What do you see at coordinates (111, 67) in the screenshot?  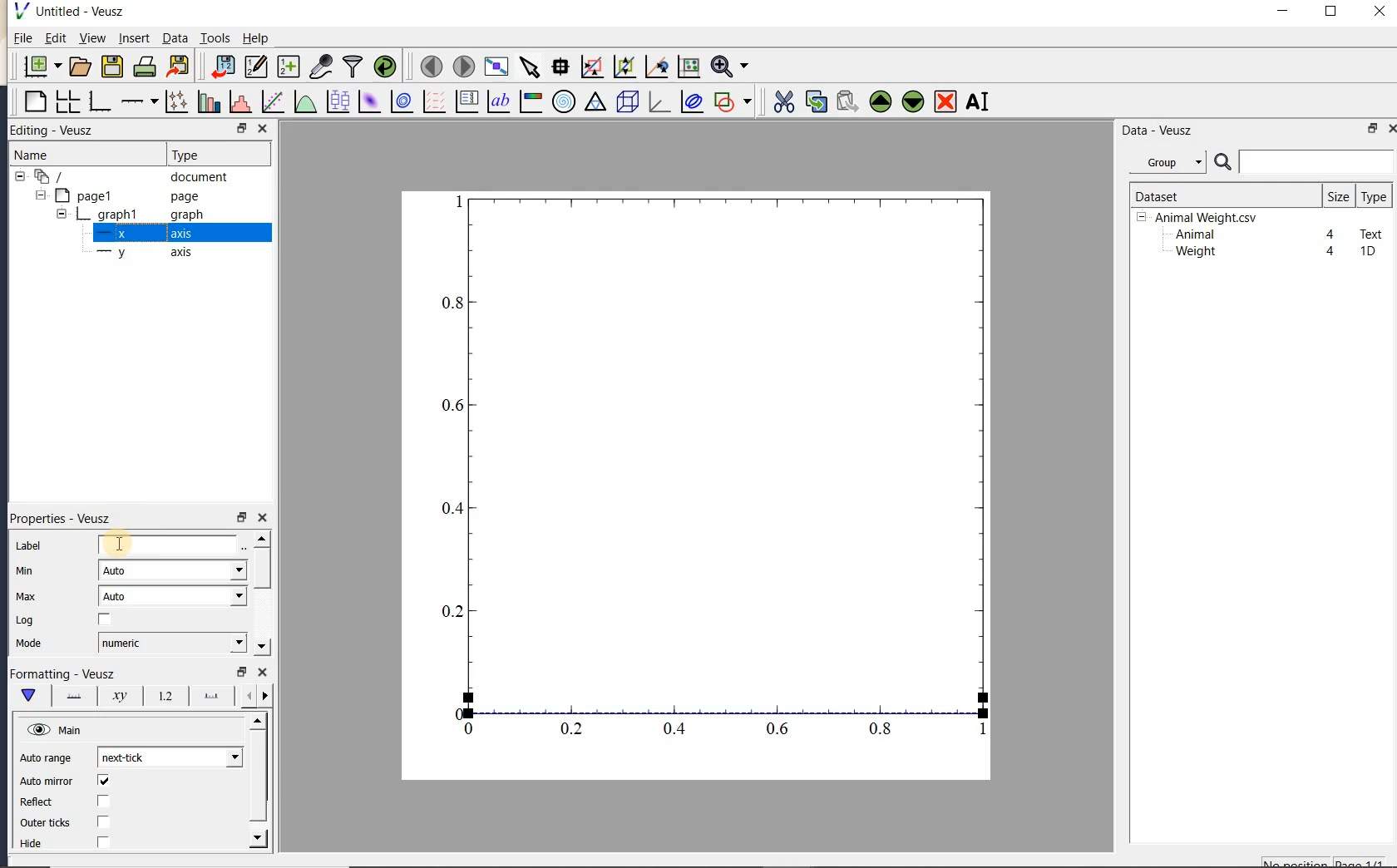 I see `save the document` at bounding box center [111, 67].